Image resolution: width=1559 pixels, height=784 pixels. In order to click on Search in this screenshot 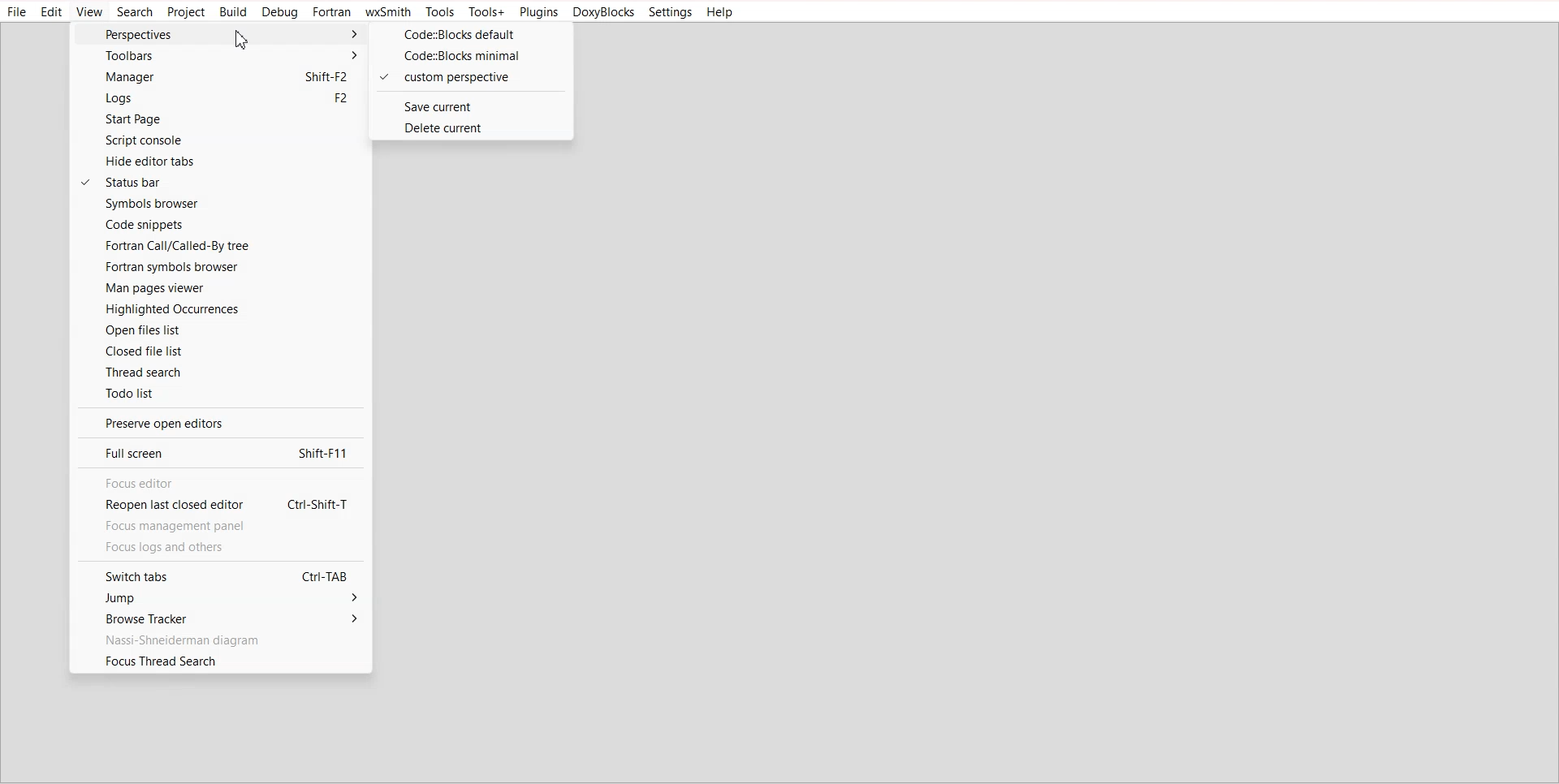, I will do `click(135, 12)`.